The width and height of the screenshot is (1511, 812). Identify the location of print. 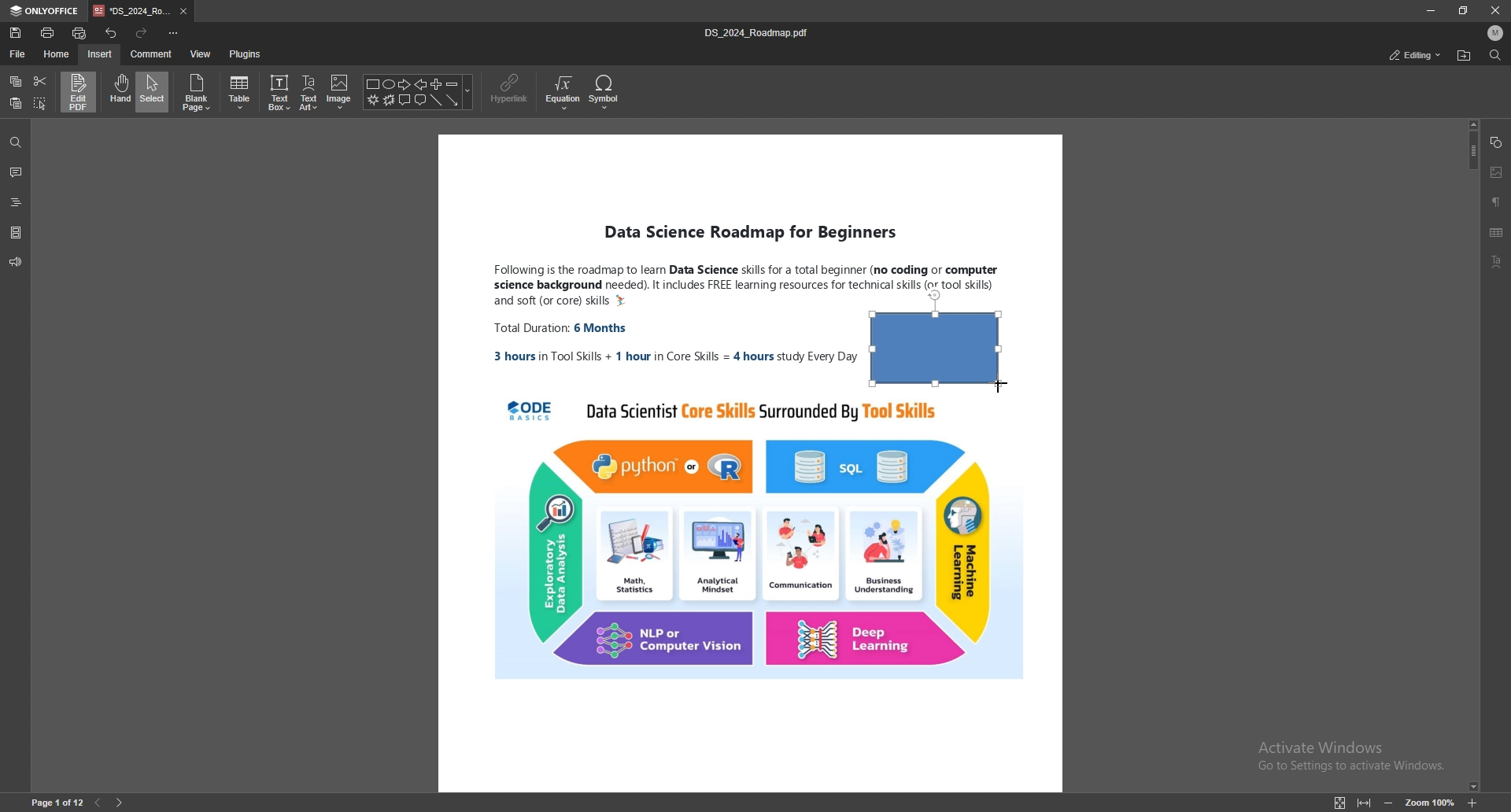
(48, 32).